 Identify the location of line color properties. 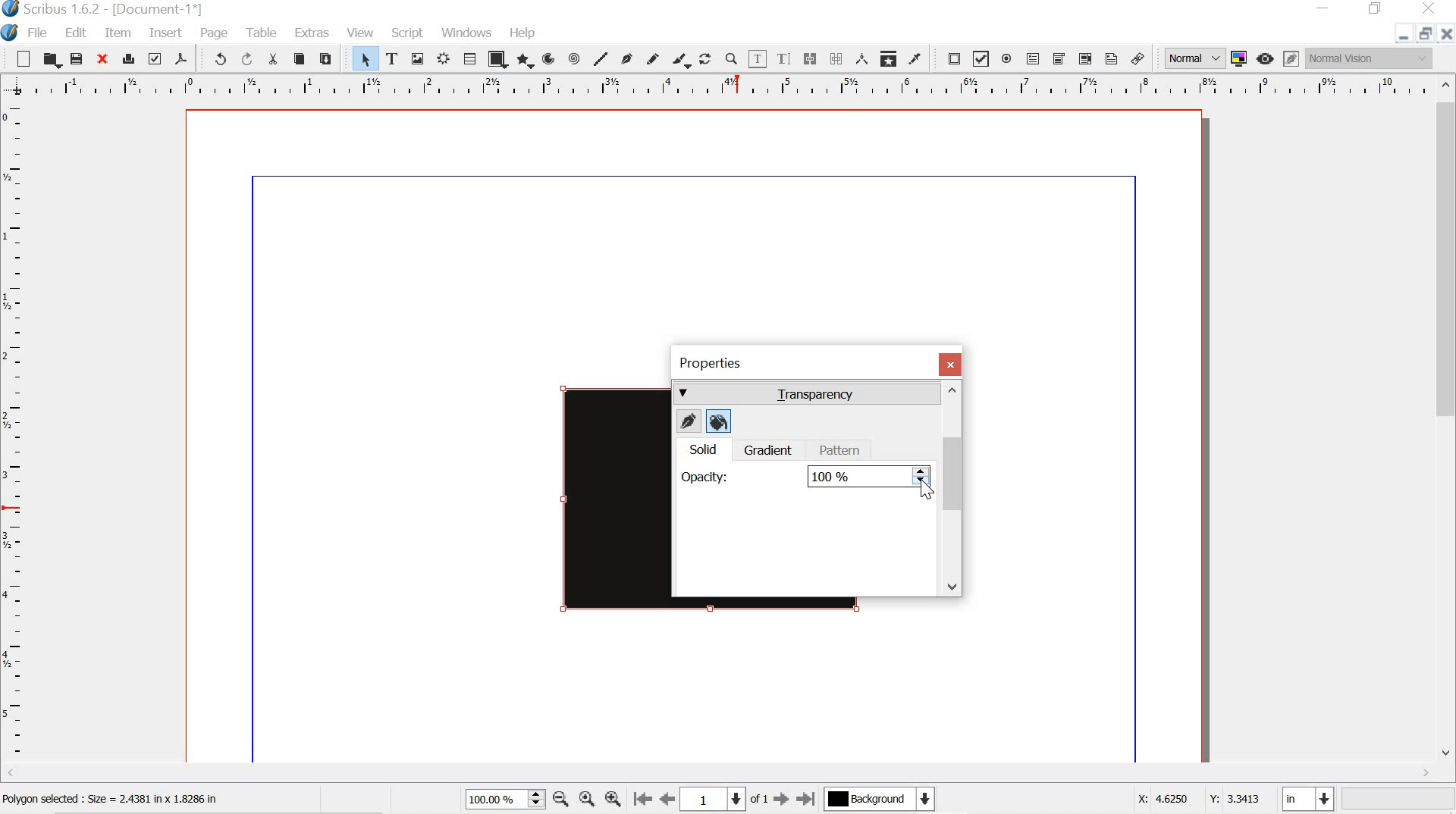
(687, 422).